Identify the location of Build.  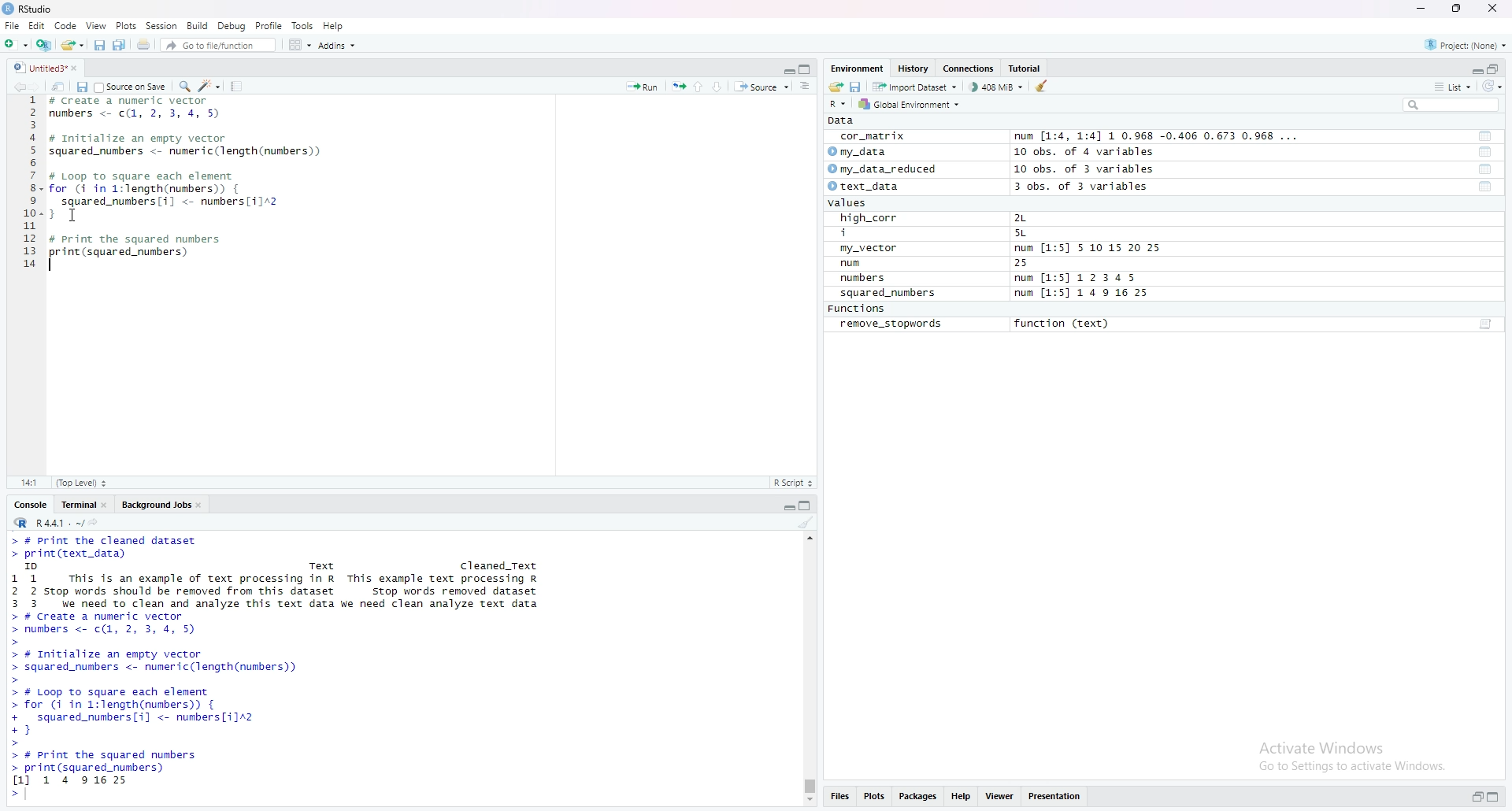
(198, 25).